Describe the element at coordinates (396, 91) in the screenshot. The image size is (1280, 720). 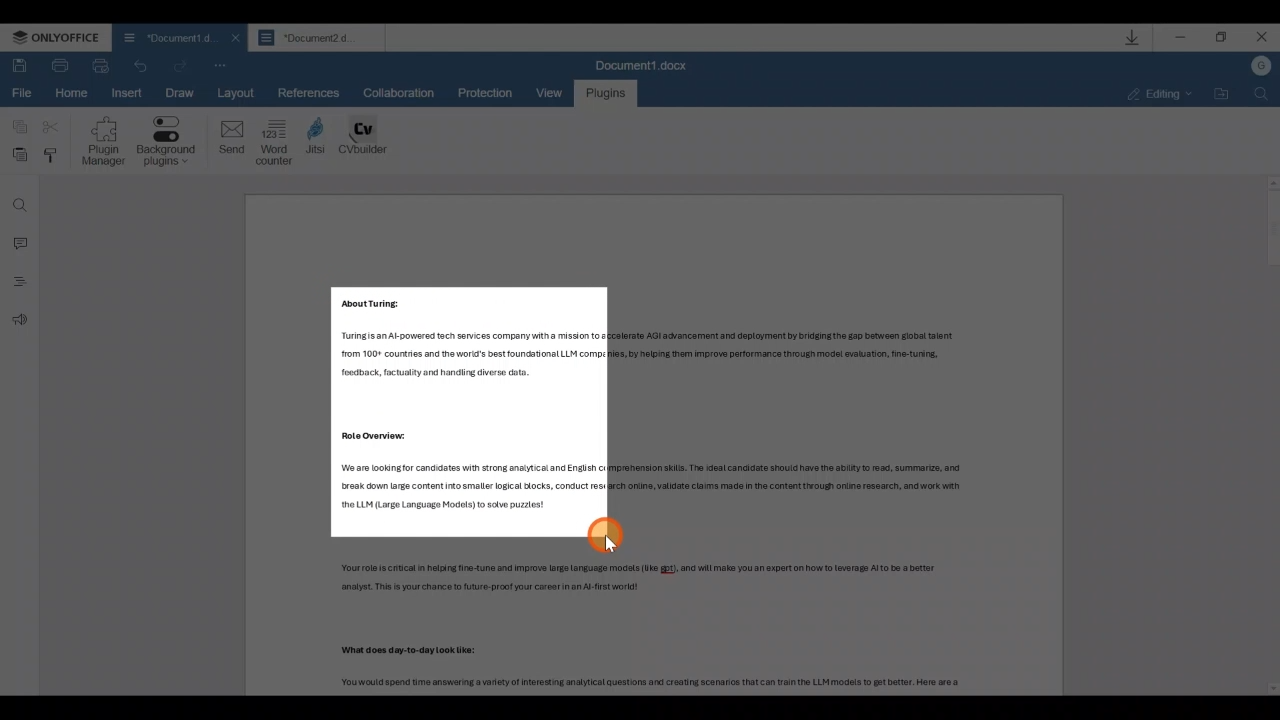
I see `Collaboration` at that location.